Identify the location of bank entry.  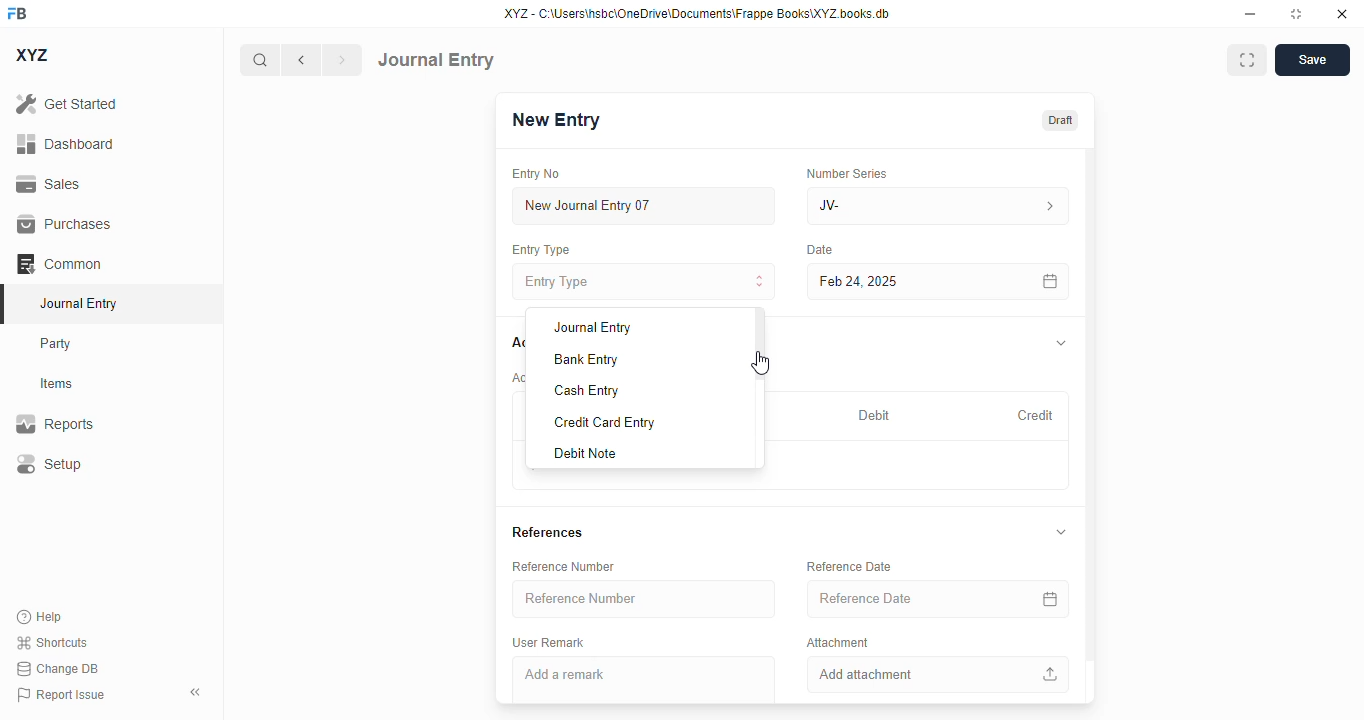
(586, 359).